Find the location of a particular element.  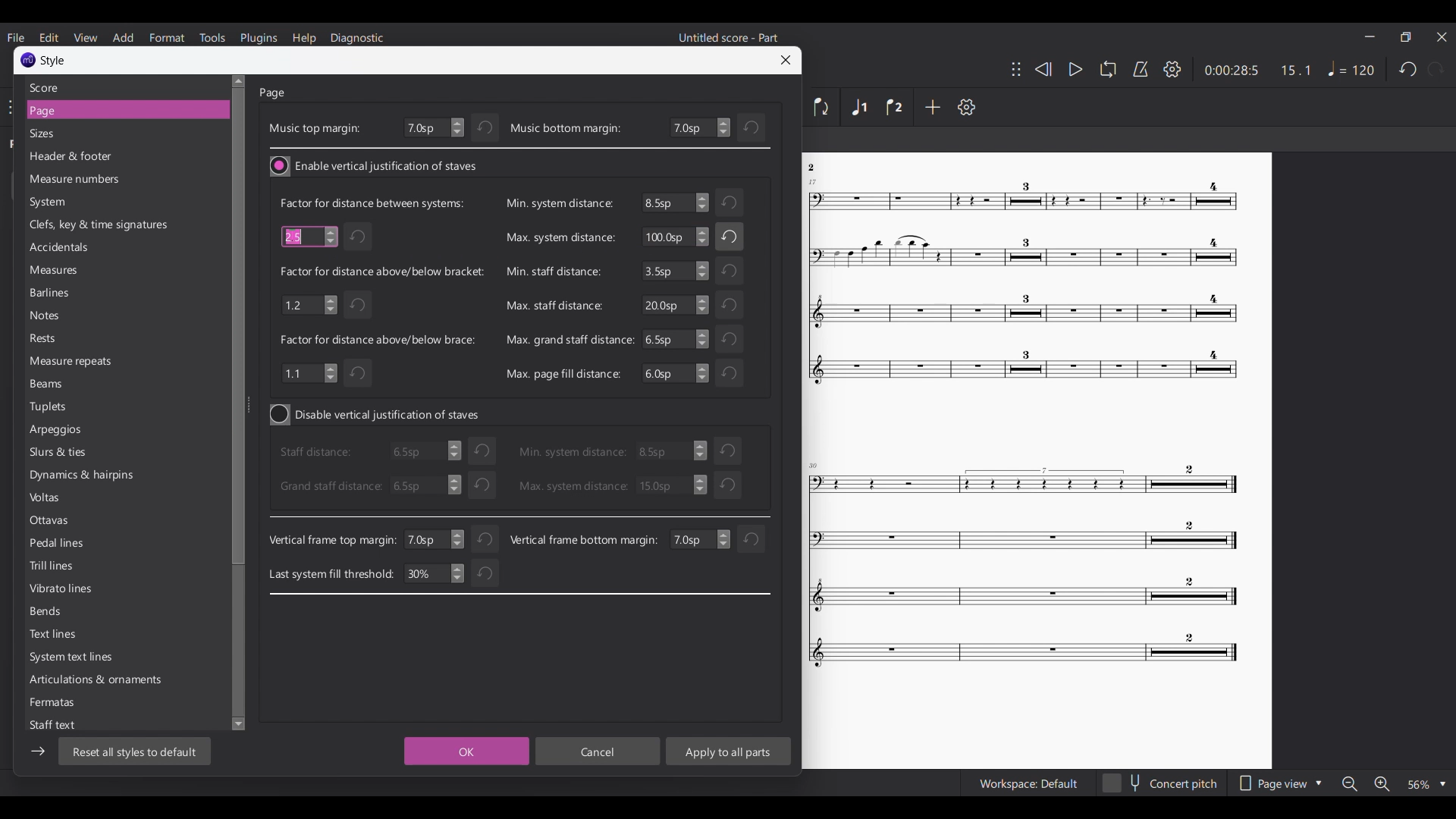

 is located at coordinates (1024, 283).